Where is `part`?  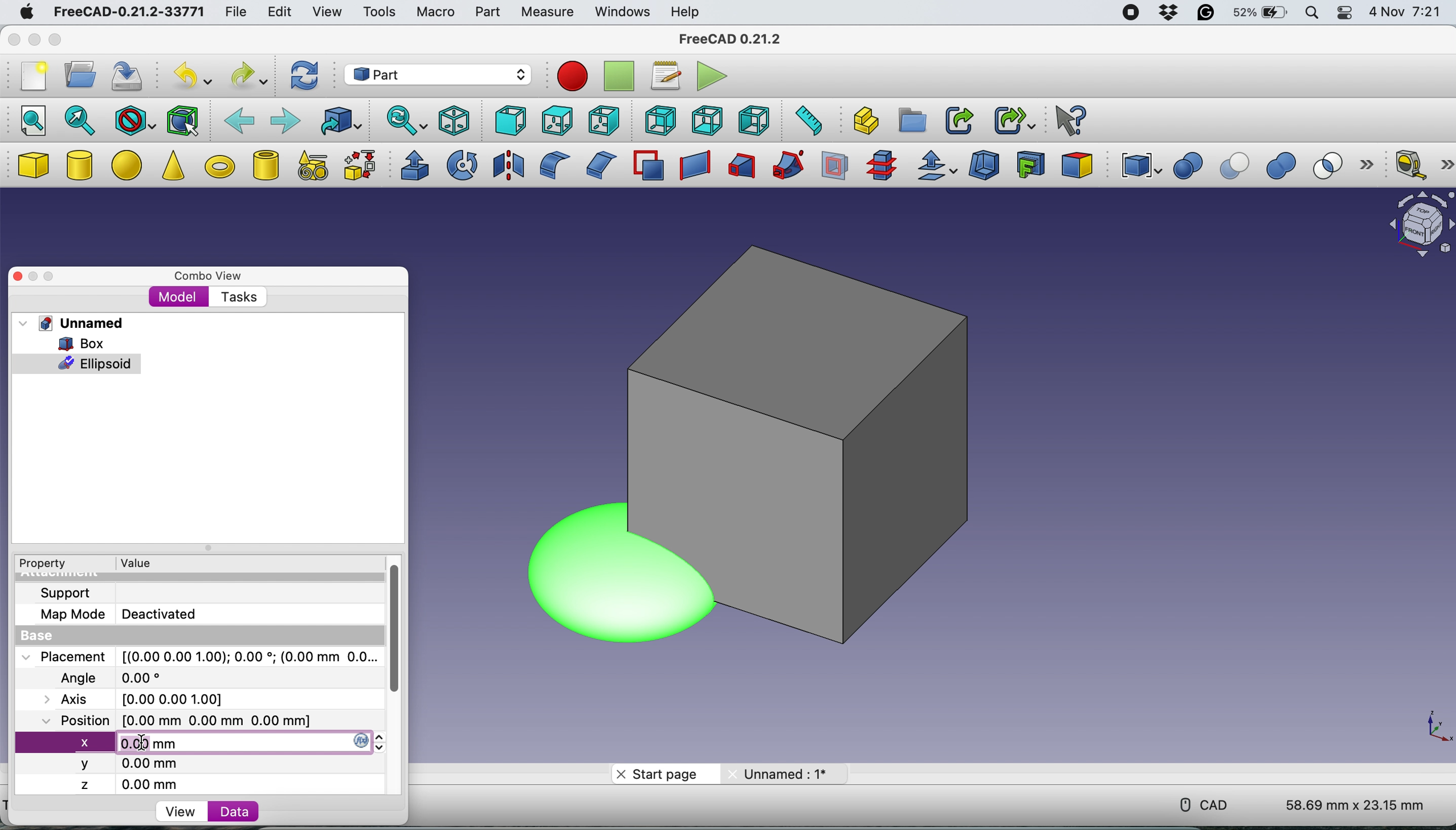
part is located at coordinates (487, 14).